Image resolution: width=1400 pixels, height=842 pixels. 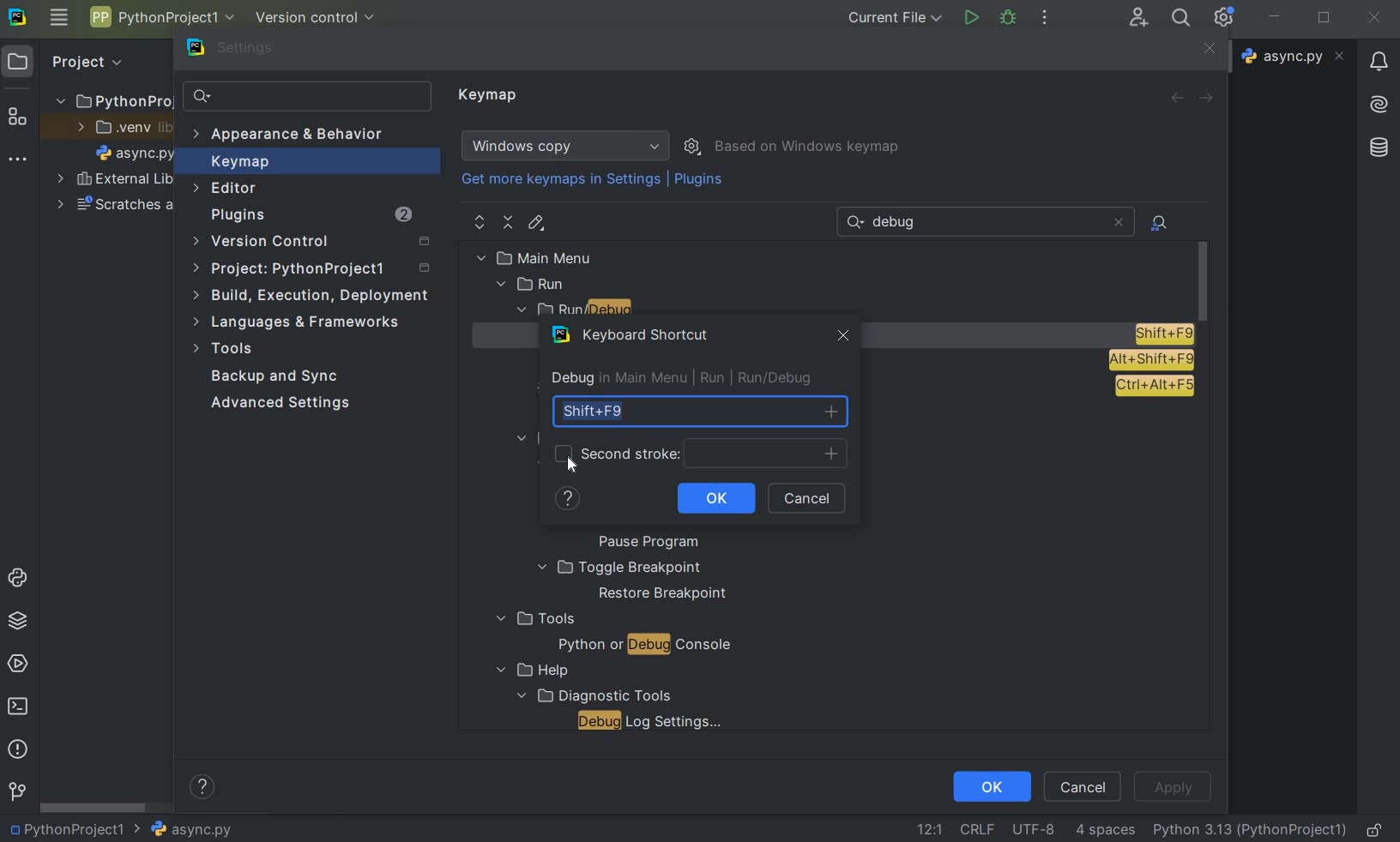 I want to click on services, so click(x=20, y=663).